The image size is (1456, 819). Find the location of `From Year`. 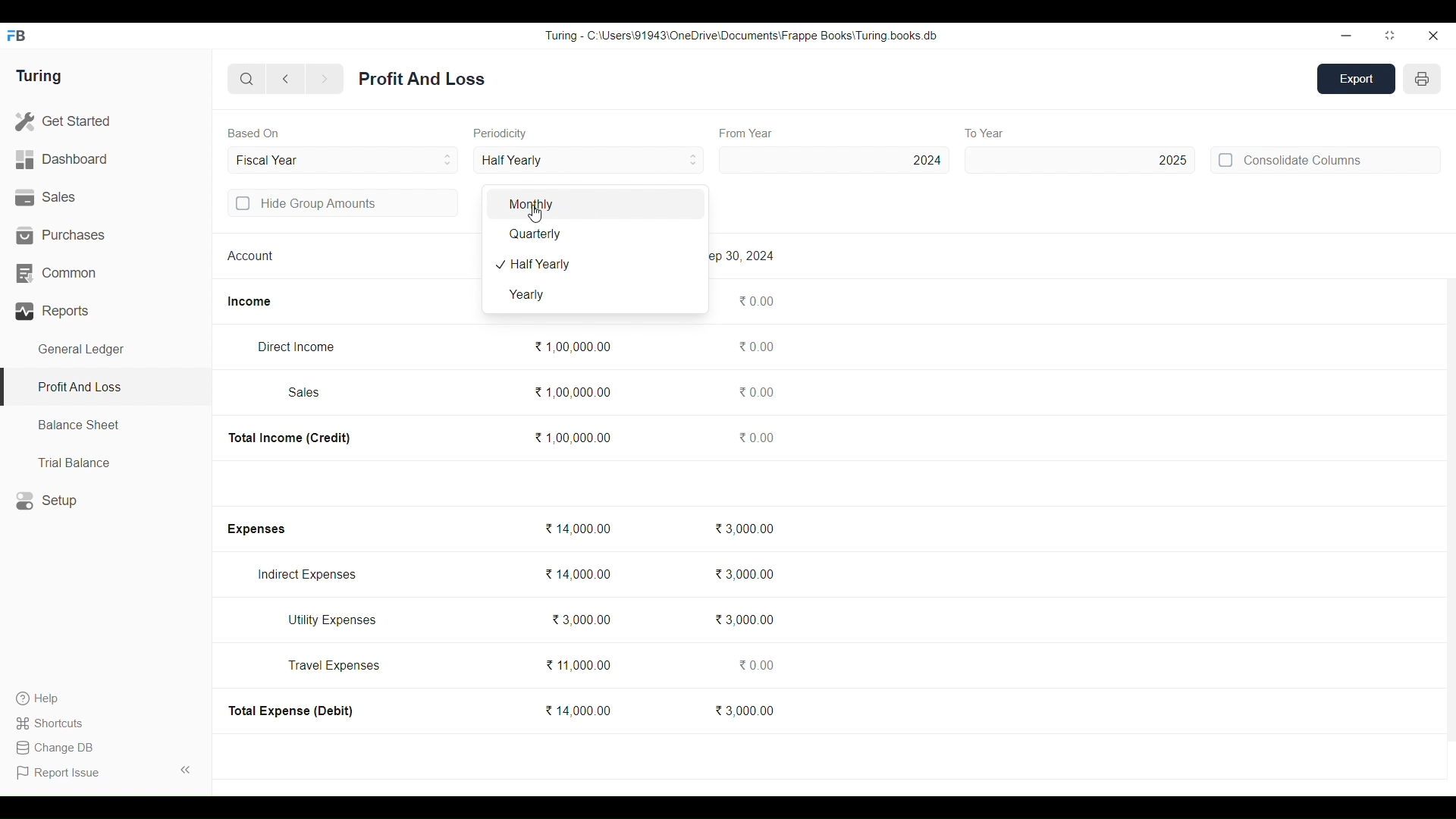

From Year is located at coordinates (747, 133).